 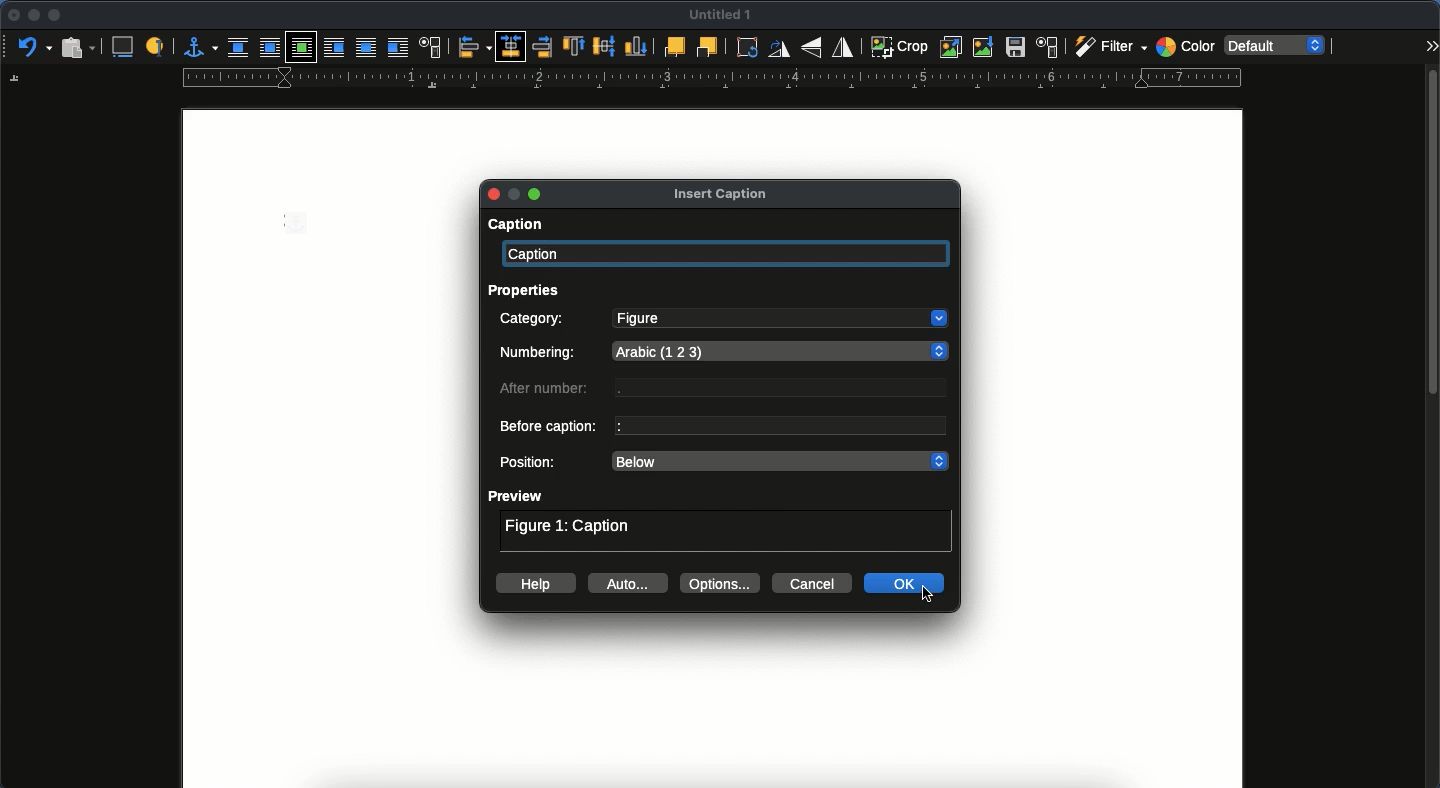 What do you see at coordinates (493, 193) in the screenshot?
I see `Close` at bounding box center [493, 193].